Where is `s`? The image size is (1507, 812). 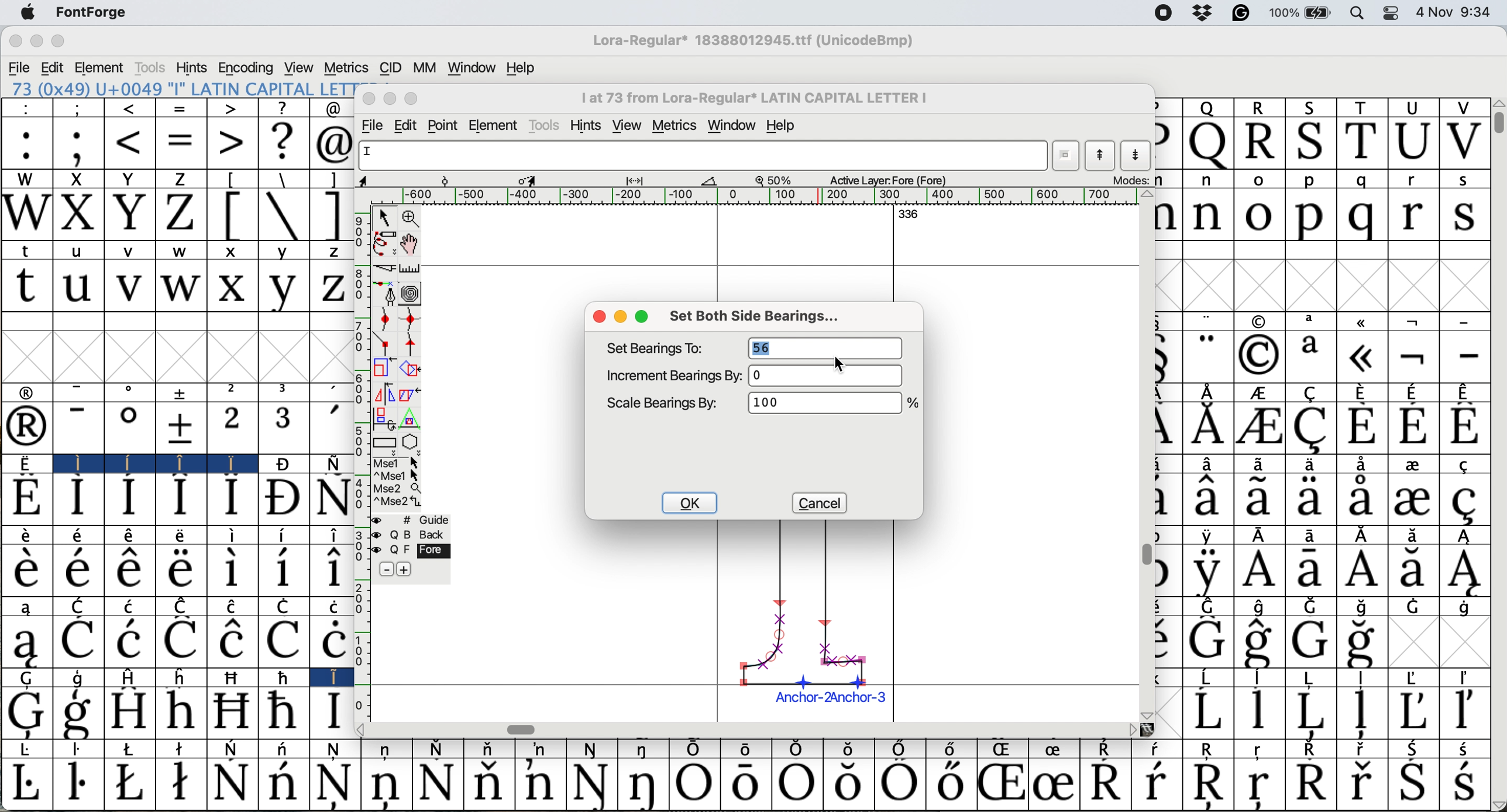 s is located at coordinates (1465, 216).